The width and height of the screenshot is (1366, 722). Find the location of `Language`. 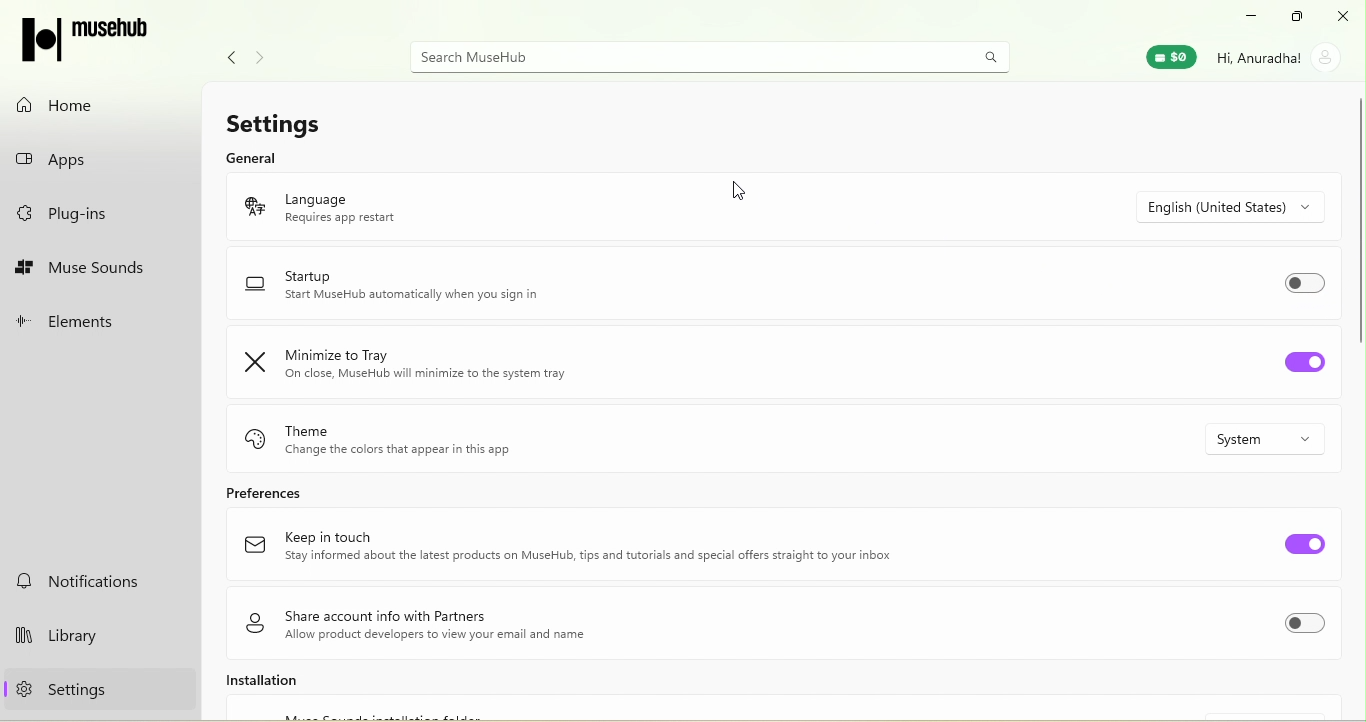

Language is located at coordinates (372, 204).